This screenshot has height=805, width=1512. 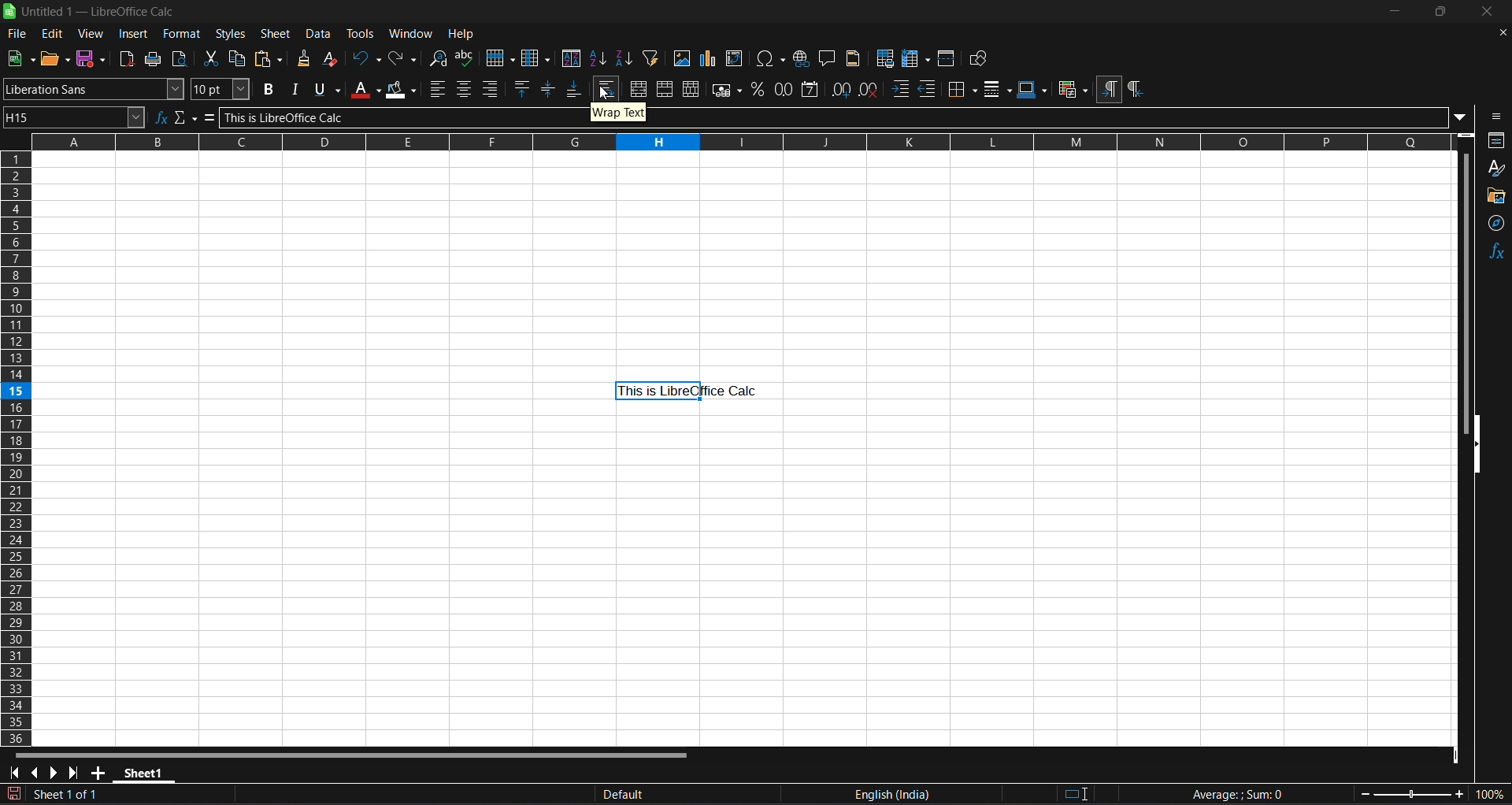 What do you see at coordinates (94, 89) in the screenshot?
I see `font name` at bounding box center [94, 89].